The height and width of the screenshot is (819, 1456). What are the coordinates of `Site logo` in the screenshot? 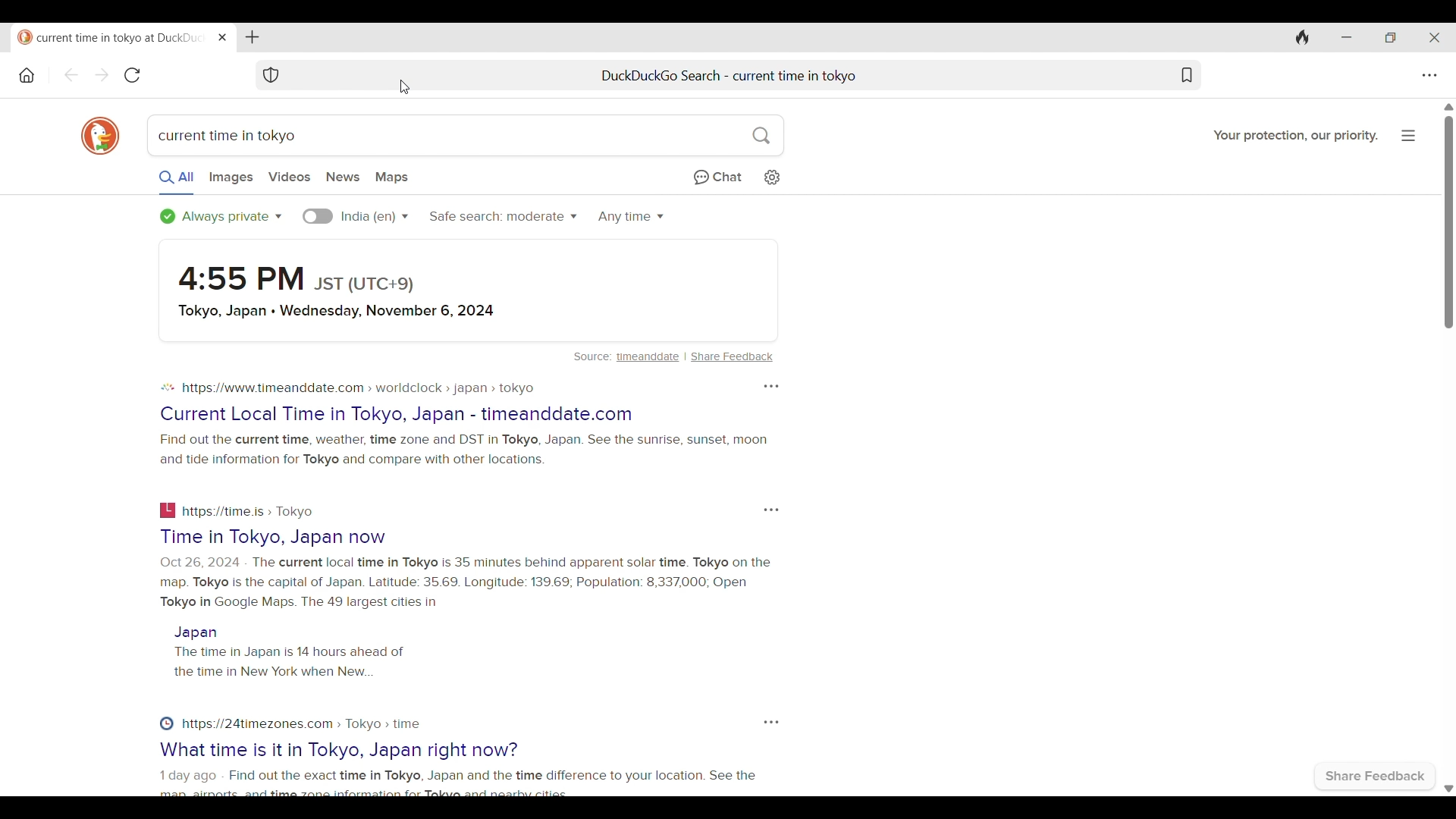 It's located at (168, 388).